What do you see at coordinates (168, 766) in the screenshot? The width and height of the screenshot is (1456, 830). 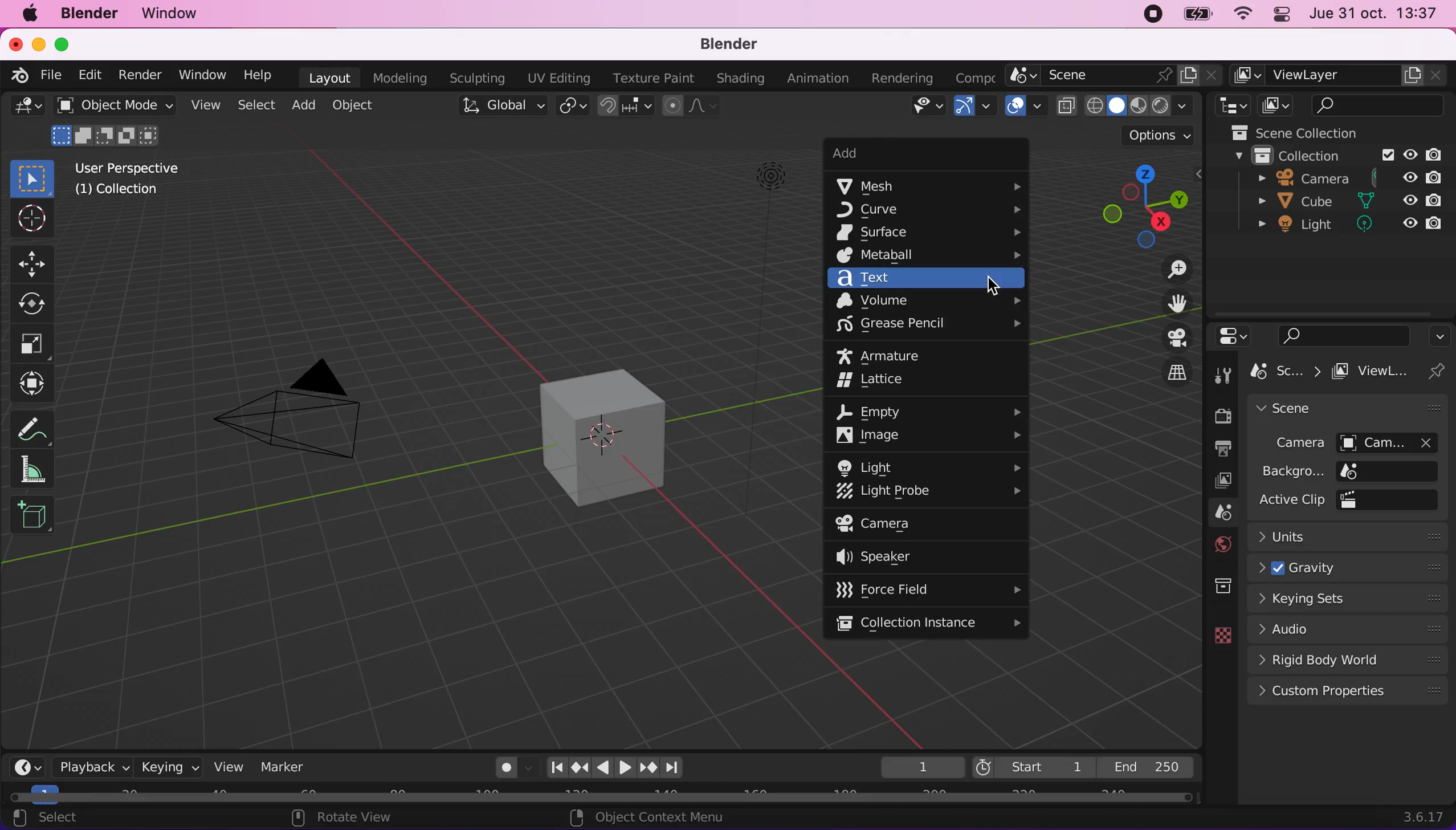 I see `keying` at bounding box center [168, 766].